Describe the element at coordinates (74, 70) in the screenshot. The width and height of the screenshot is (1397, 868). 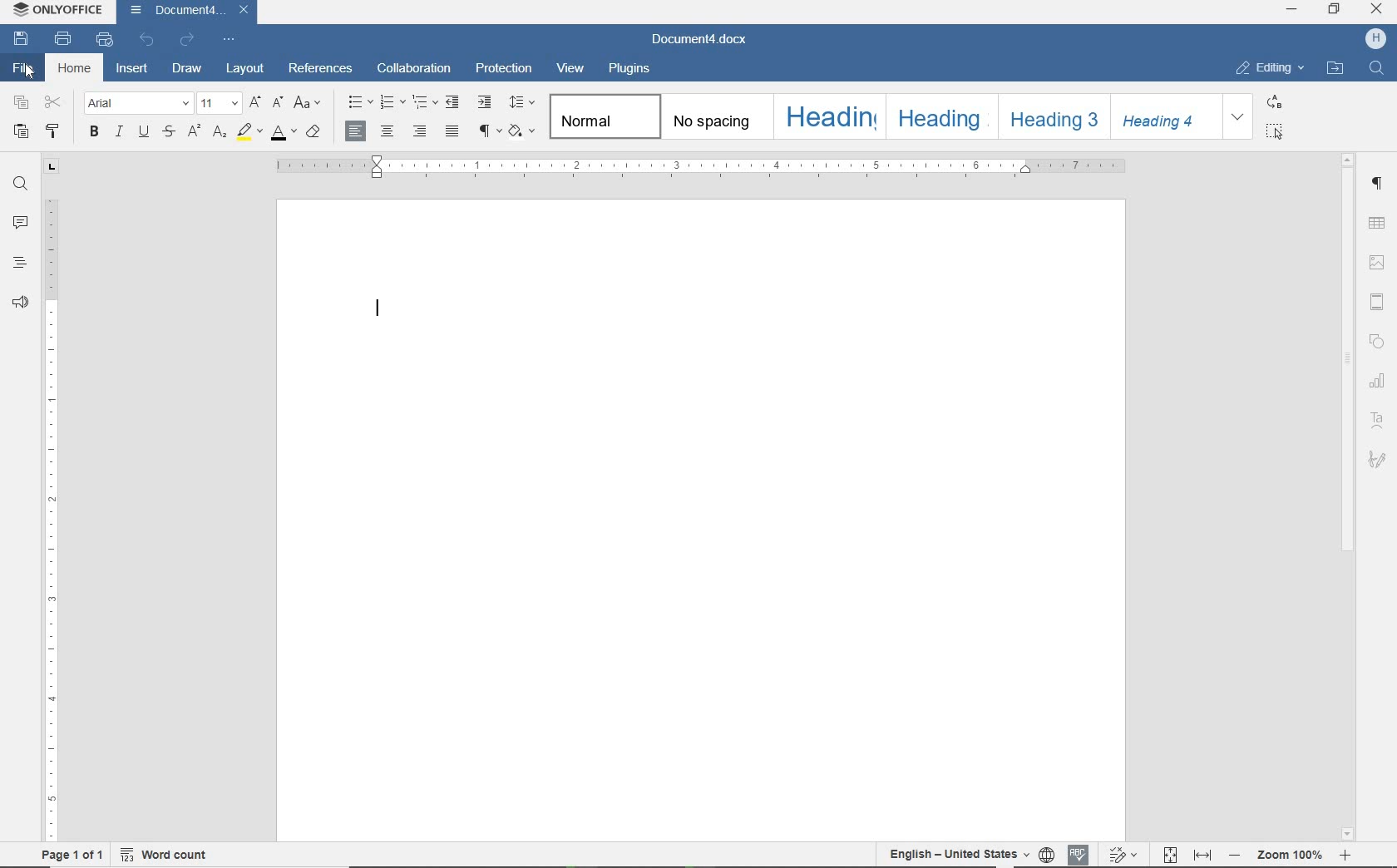
I see `home` at that location.